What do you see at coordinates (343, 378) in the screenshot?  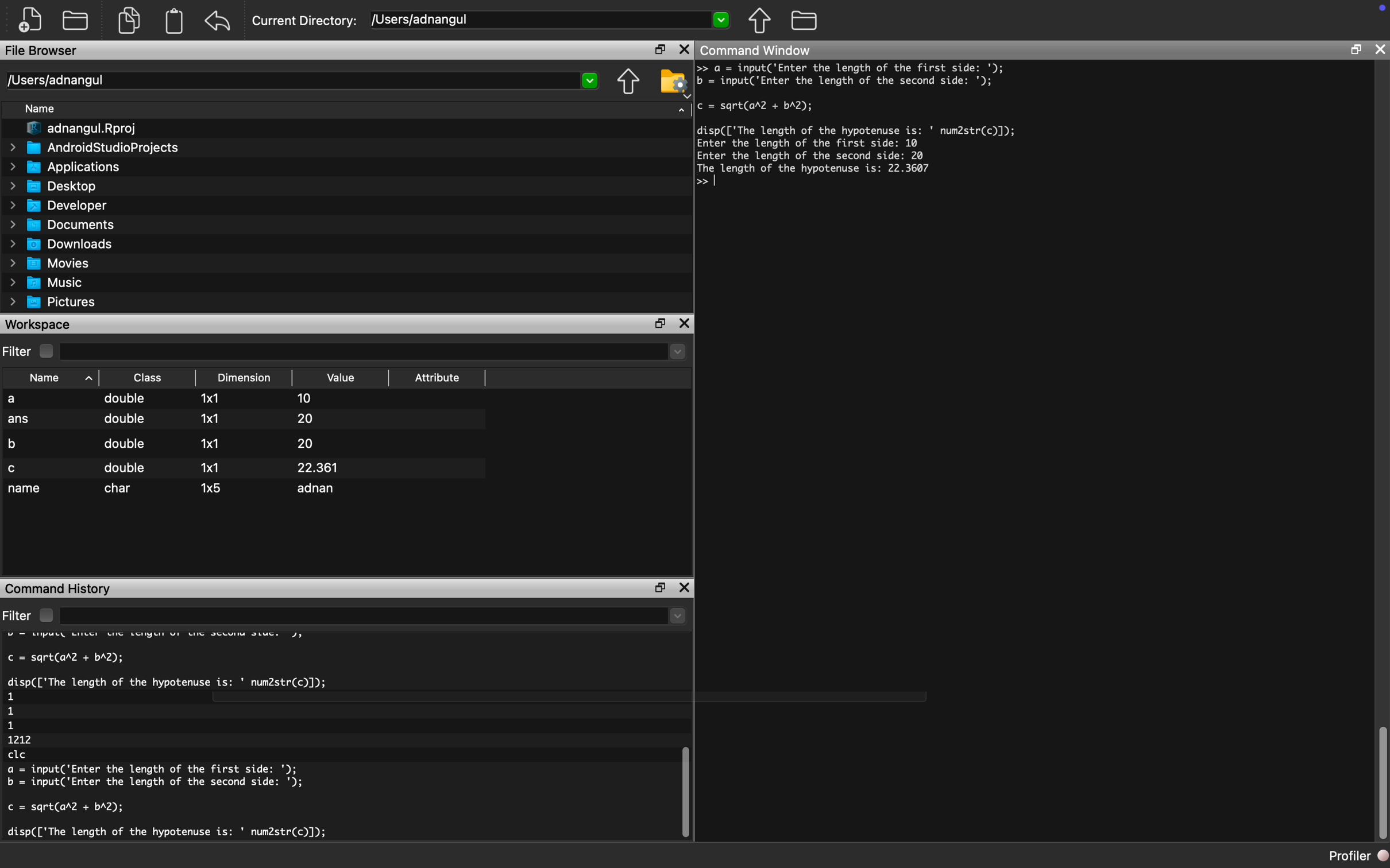 I see `Value` at bounding box center [343, 378].